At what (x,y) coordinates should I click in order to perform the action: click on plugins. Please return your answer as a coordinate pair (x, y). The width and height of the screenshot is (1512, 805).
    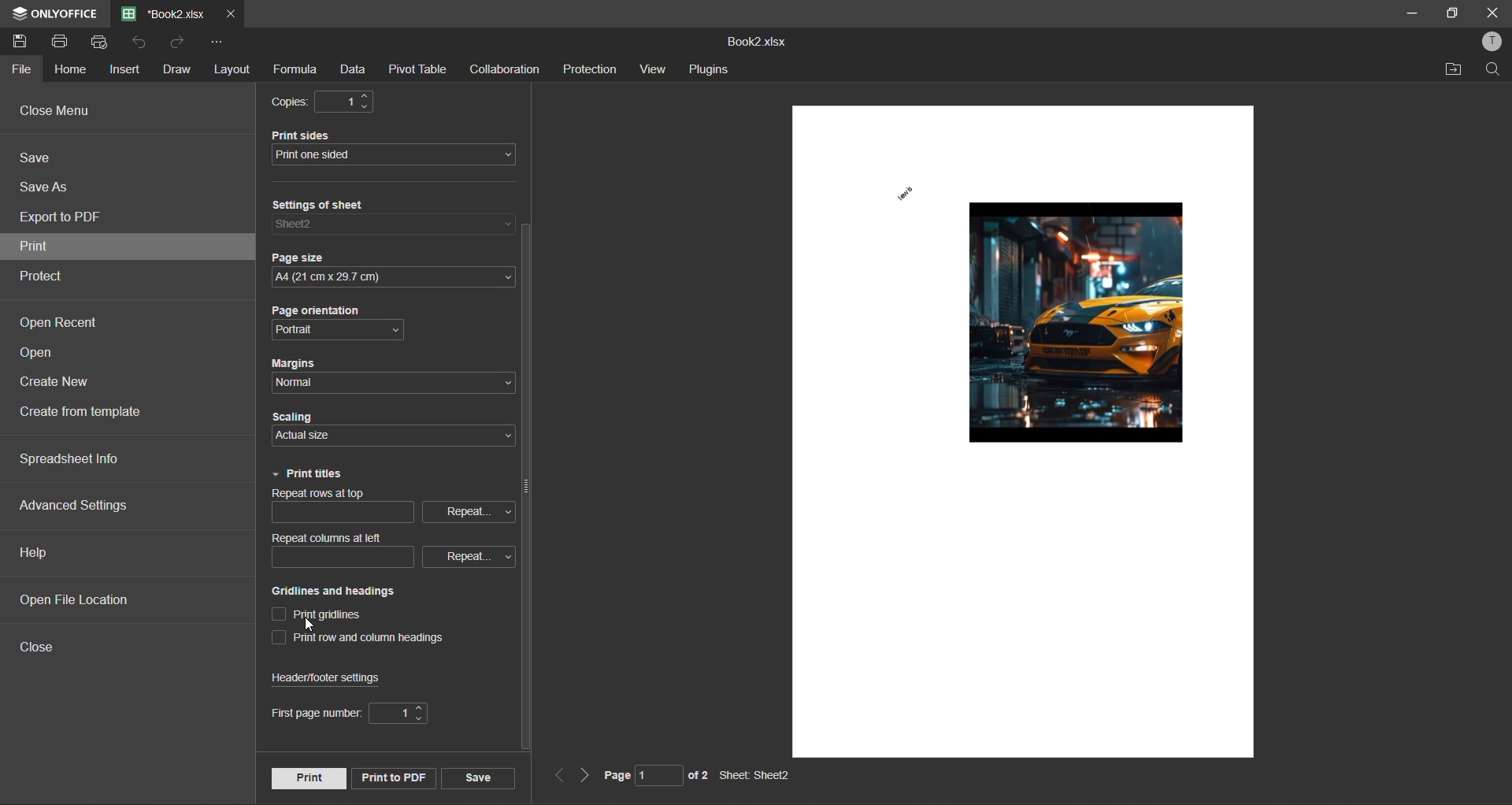
    Looking at the image, I should click on (707, 69).